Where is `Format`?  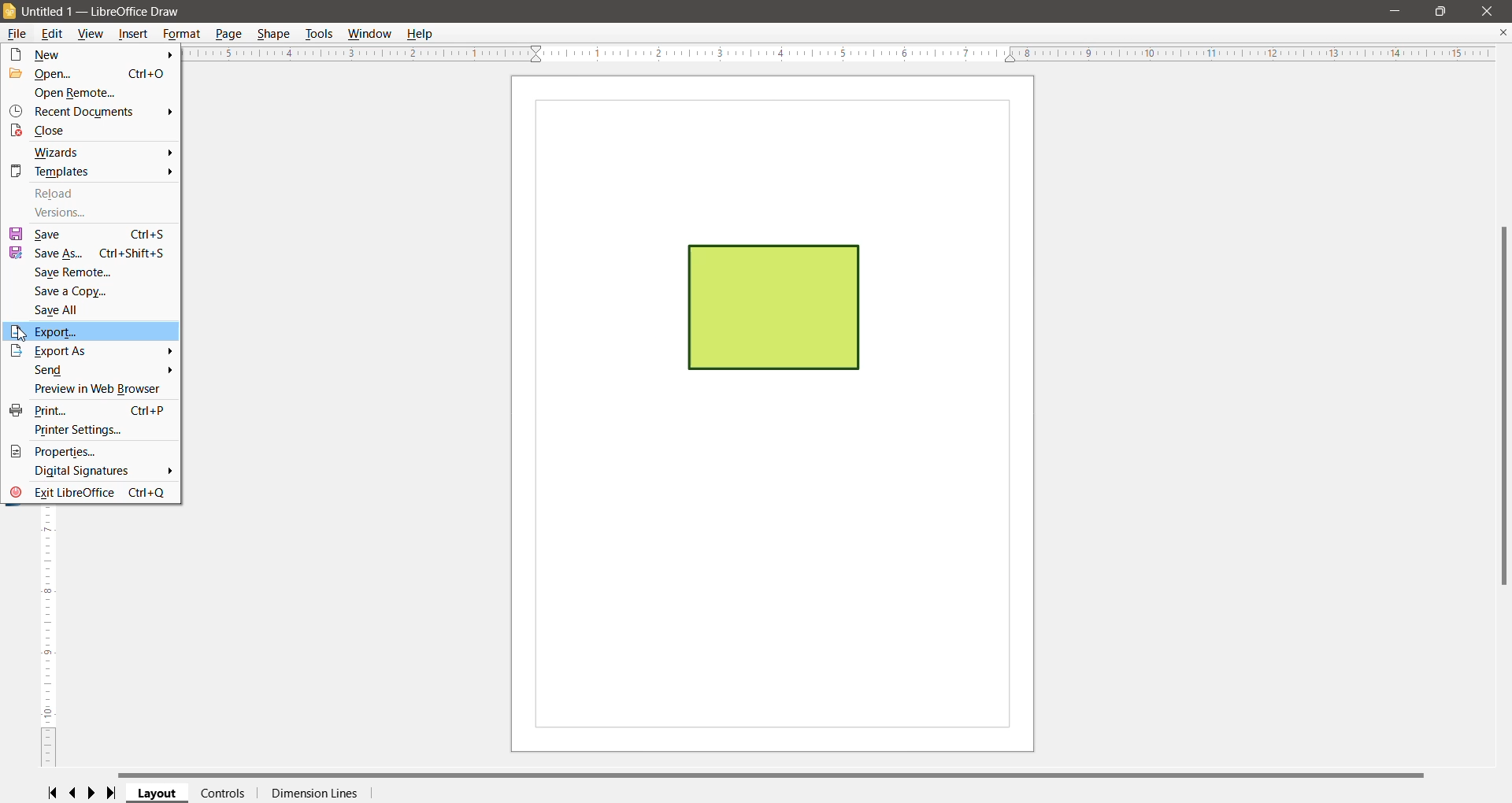 Format is located at coordinates (183, 34).